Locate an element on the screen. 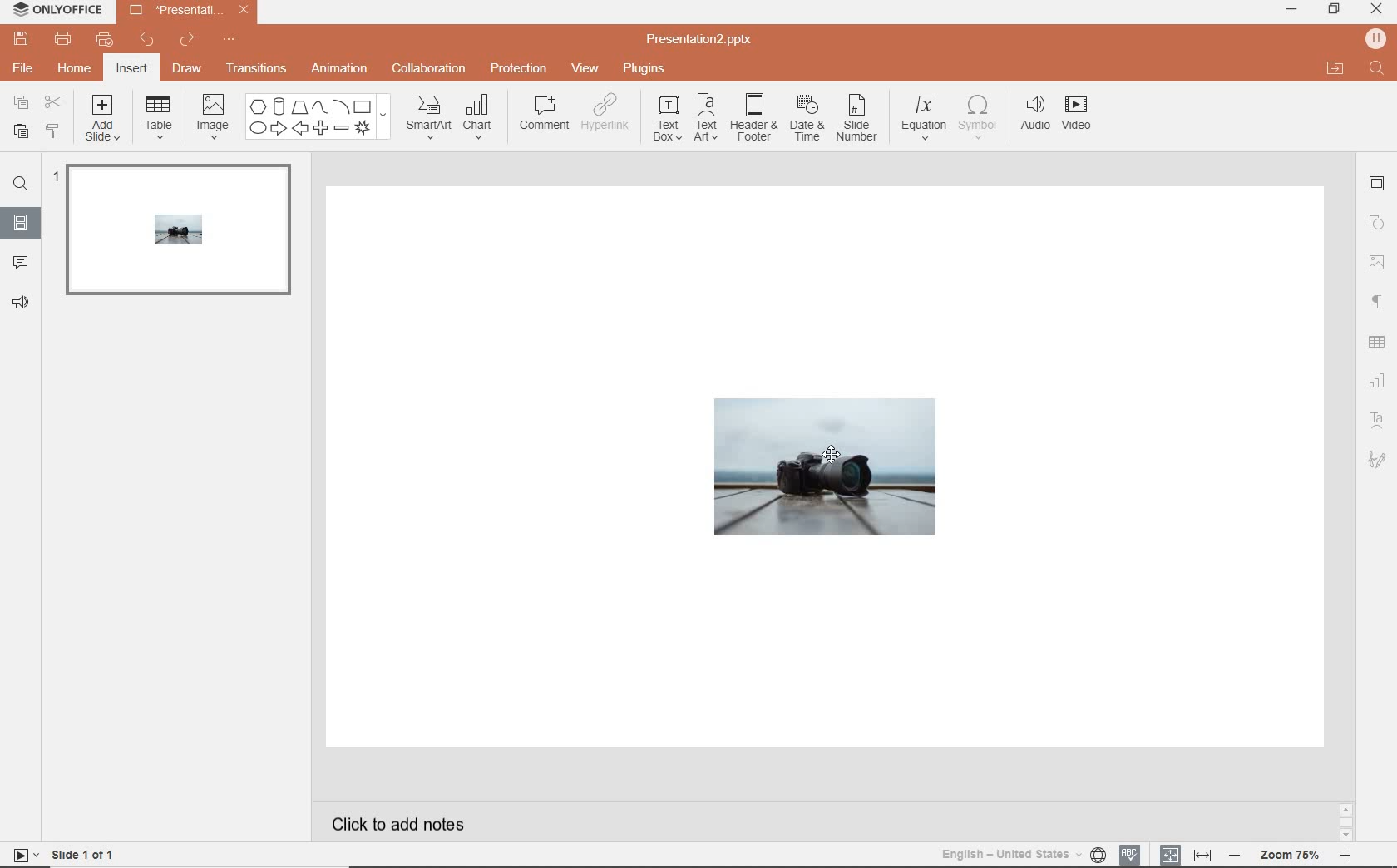  cursor is located at coordinates (833, 456).